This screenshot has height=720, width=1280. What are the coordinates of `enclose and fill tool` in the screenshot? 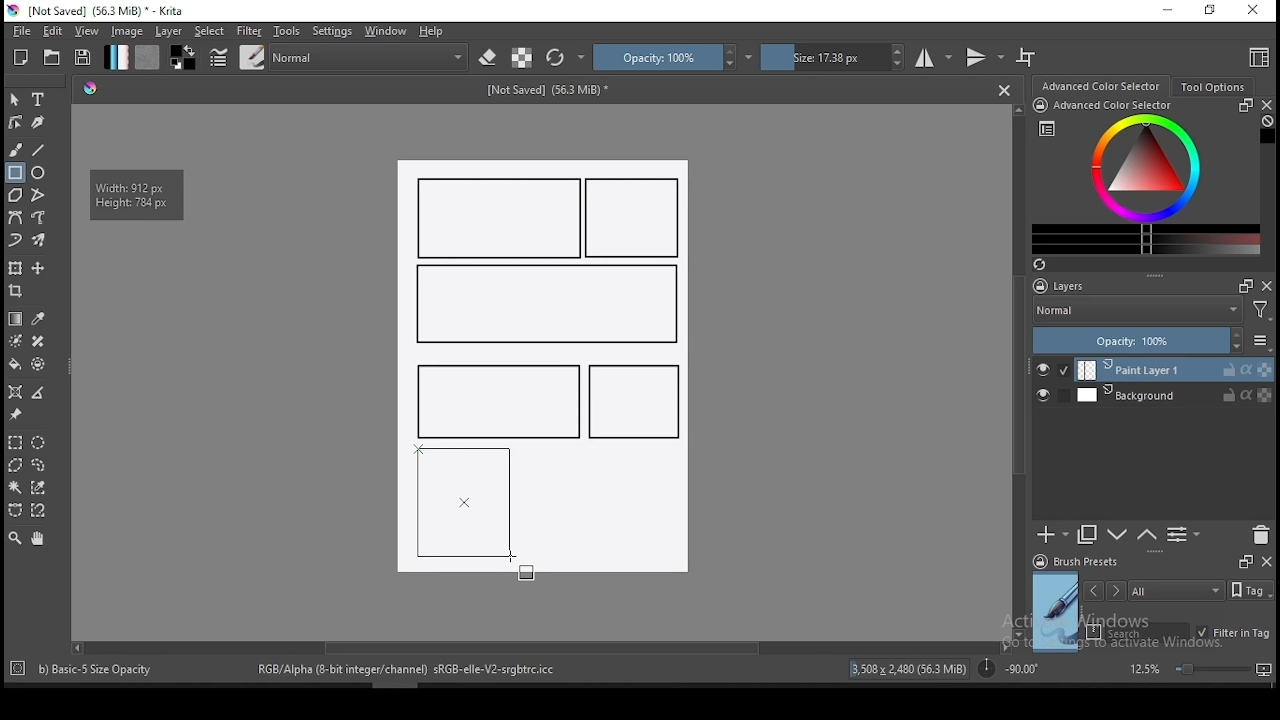 It's located at (38, 364).